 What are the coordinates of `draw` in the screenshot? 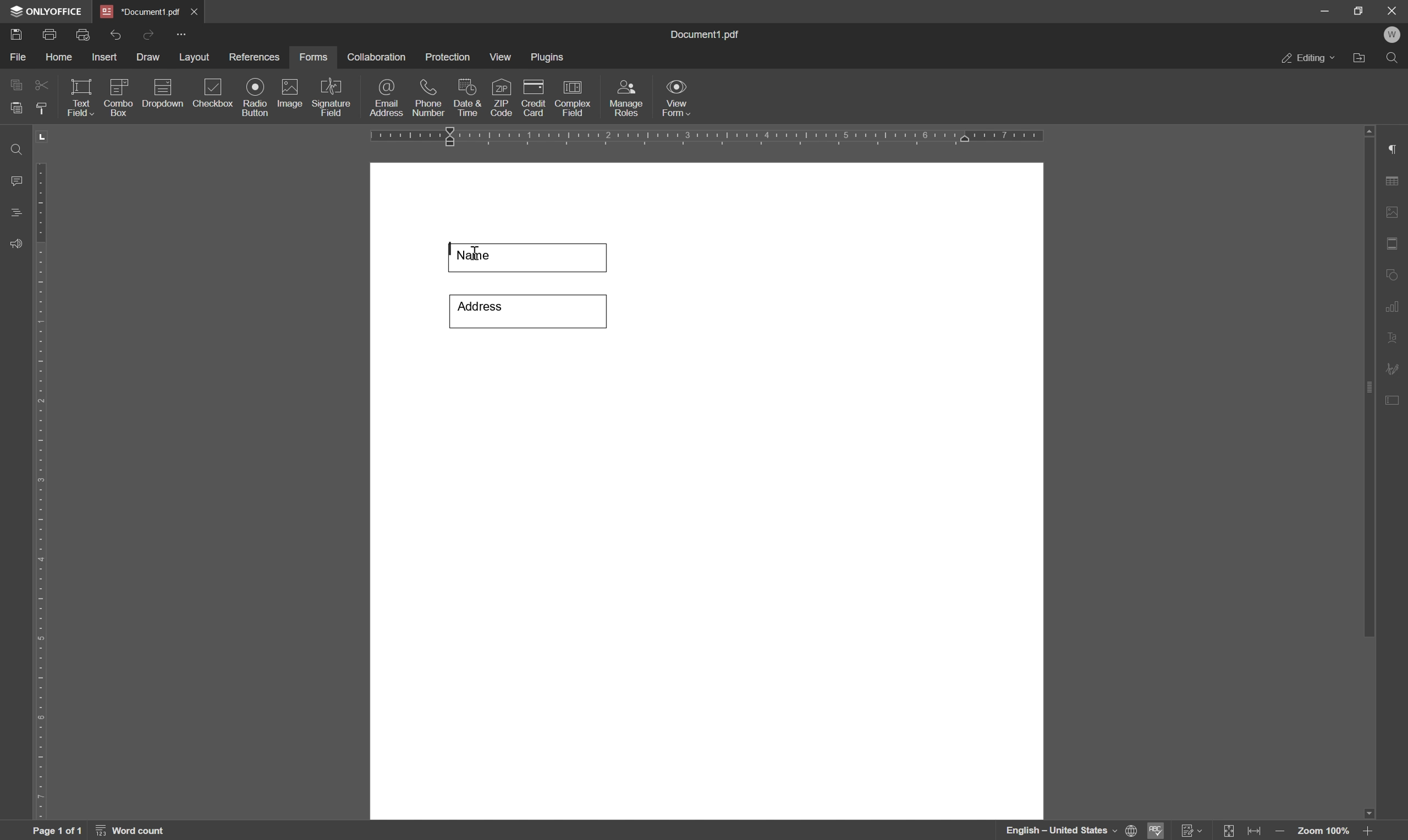 It's located at (148, 58).